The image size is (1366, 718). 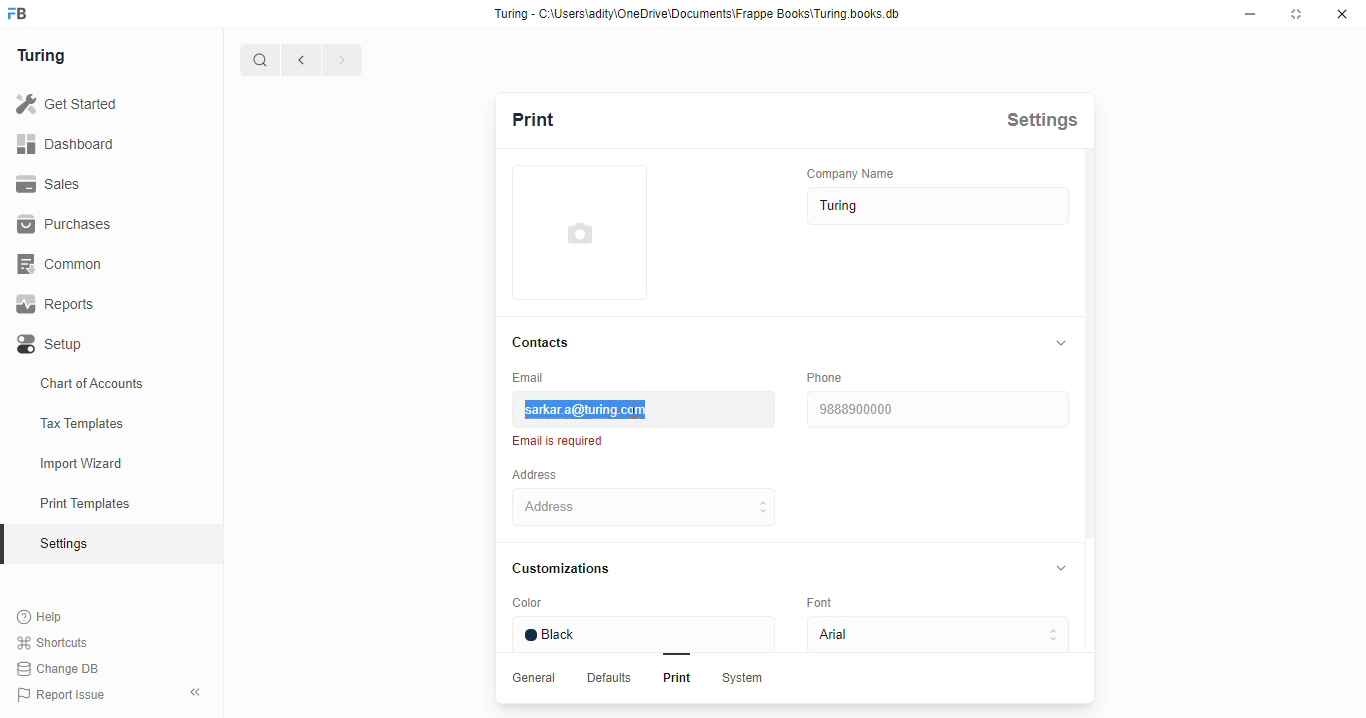 What do you see at coordinates (558, 118) in the screenshot?
I see `Print` at bounding box center [558, 118].